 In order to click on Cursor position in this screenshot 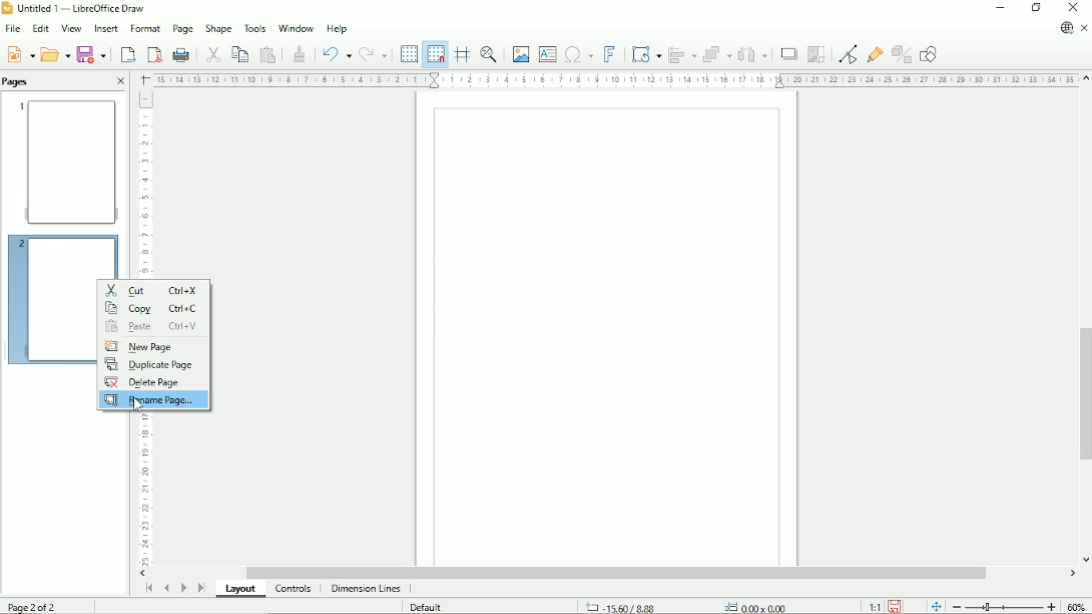, I will do `click(690, 606)`.